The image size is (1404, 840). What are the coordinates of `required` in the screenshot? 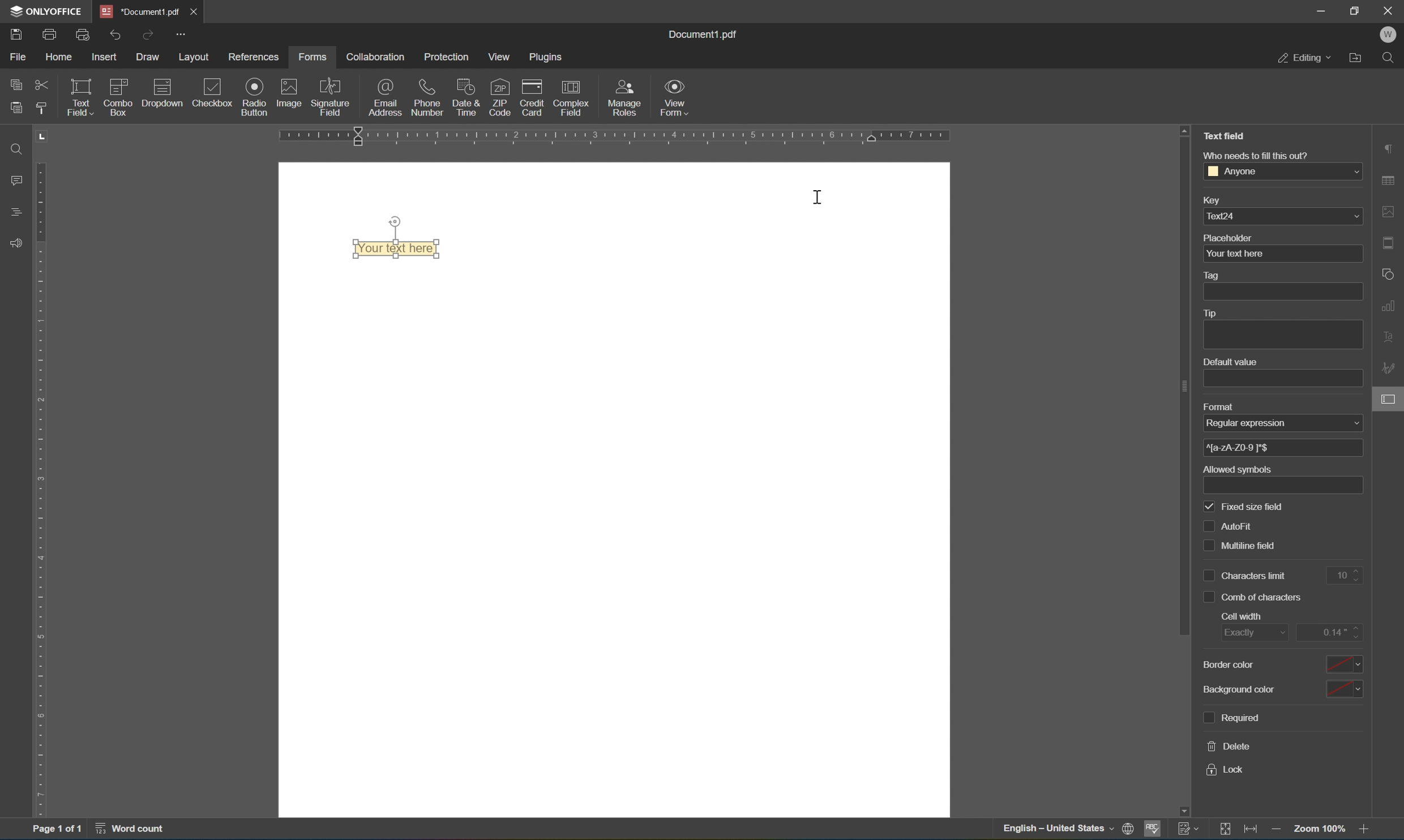 It's located at (1230, 718).